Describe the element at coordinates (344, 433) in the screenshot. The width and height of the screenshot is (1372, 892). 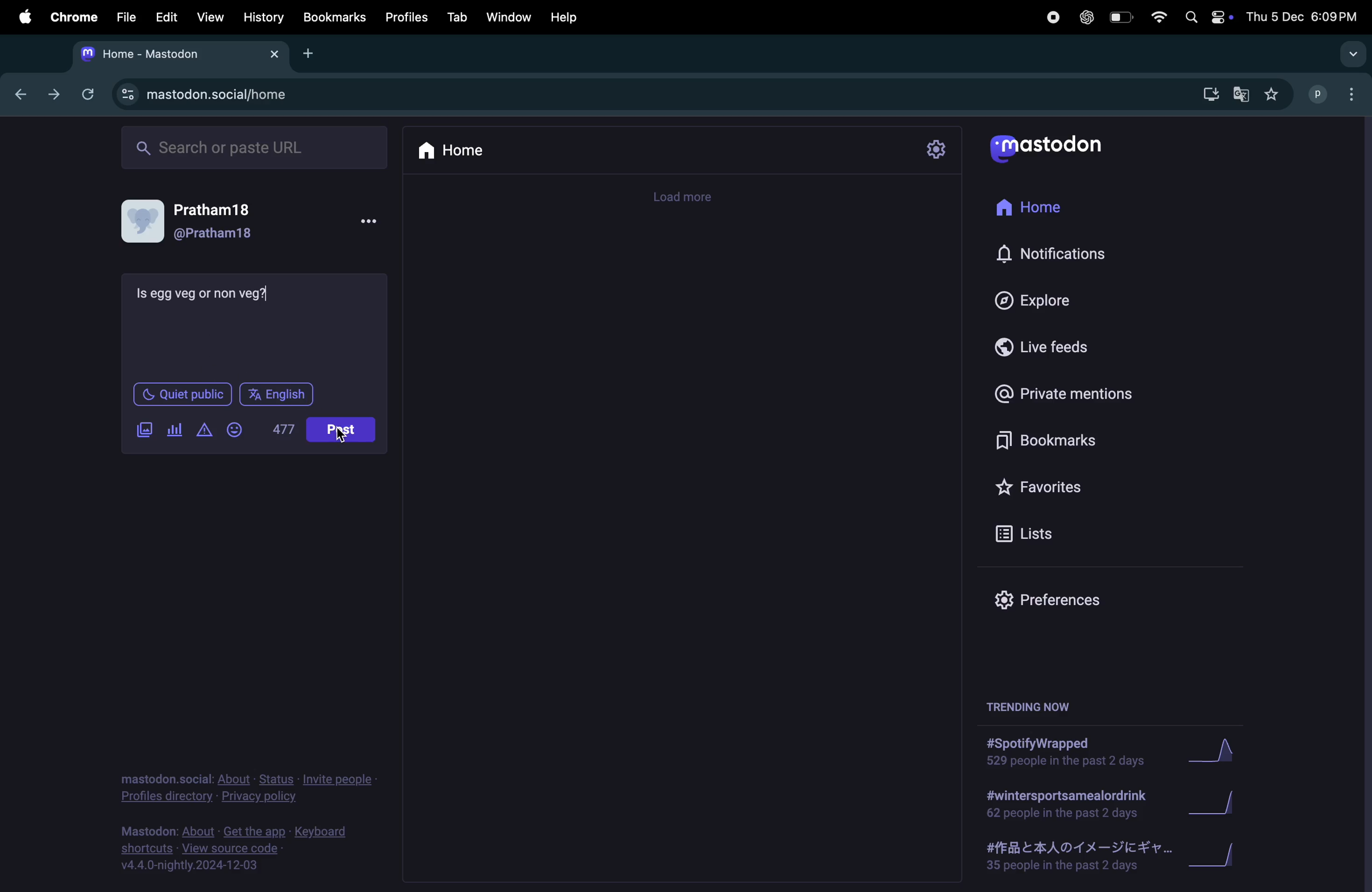
I see `user profile` at that location.